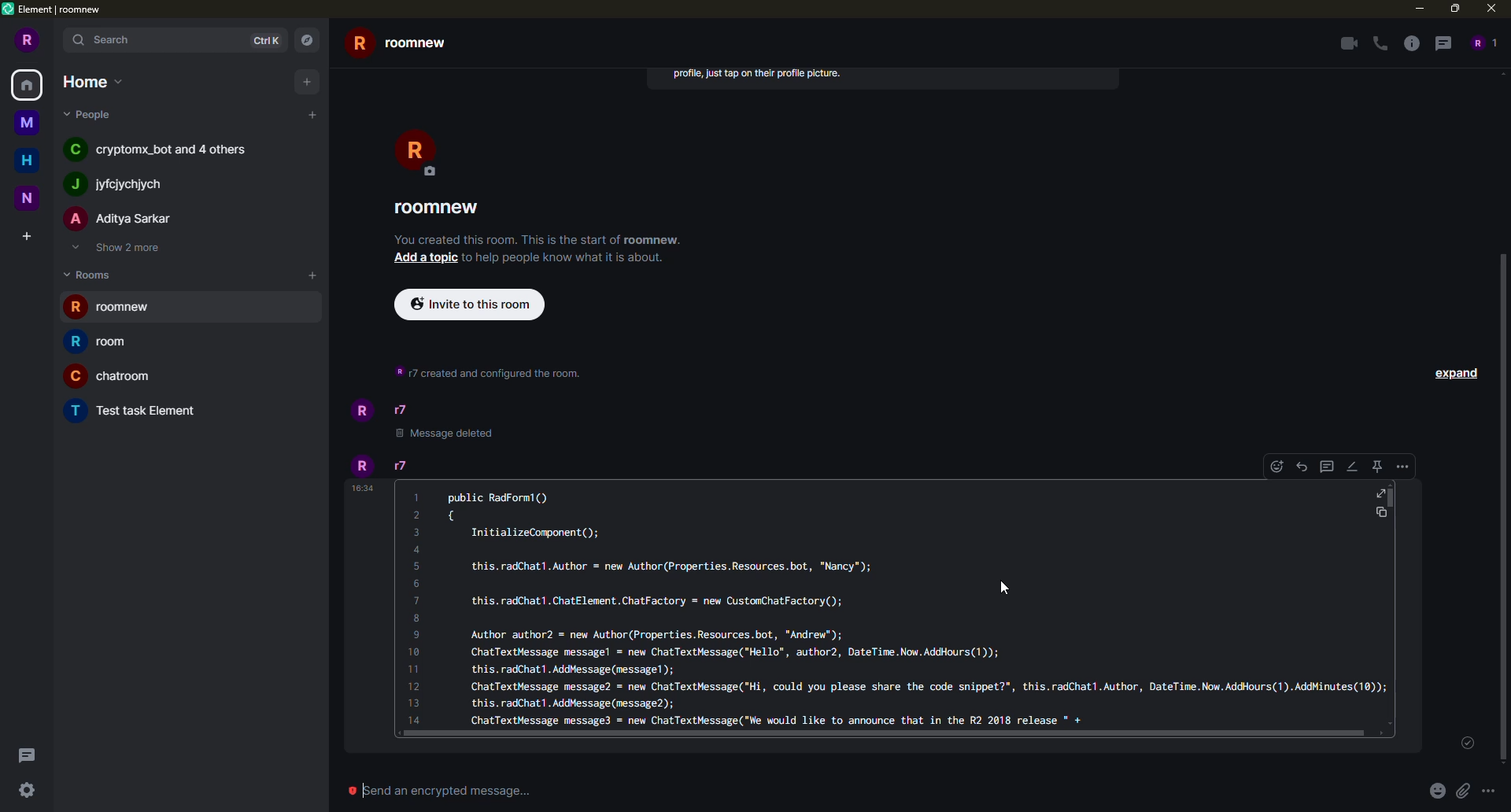 The image size is (1511, 812). What do you see at coordinates (138, 412) in the screenshot?
I see `room` at bounding box center [138, 412].